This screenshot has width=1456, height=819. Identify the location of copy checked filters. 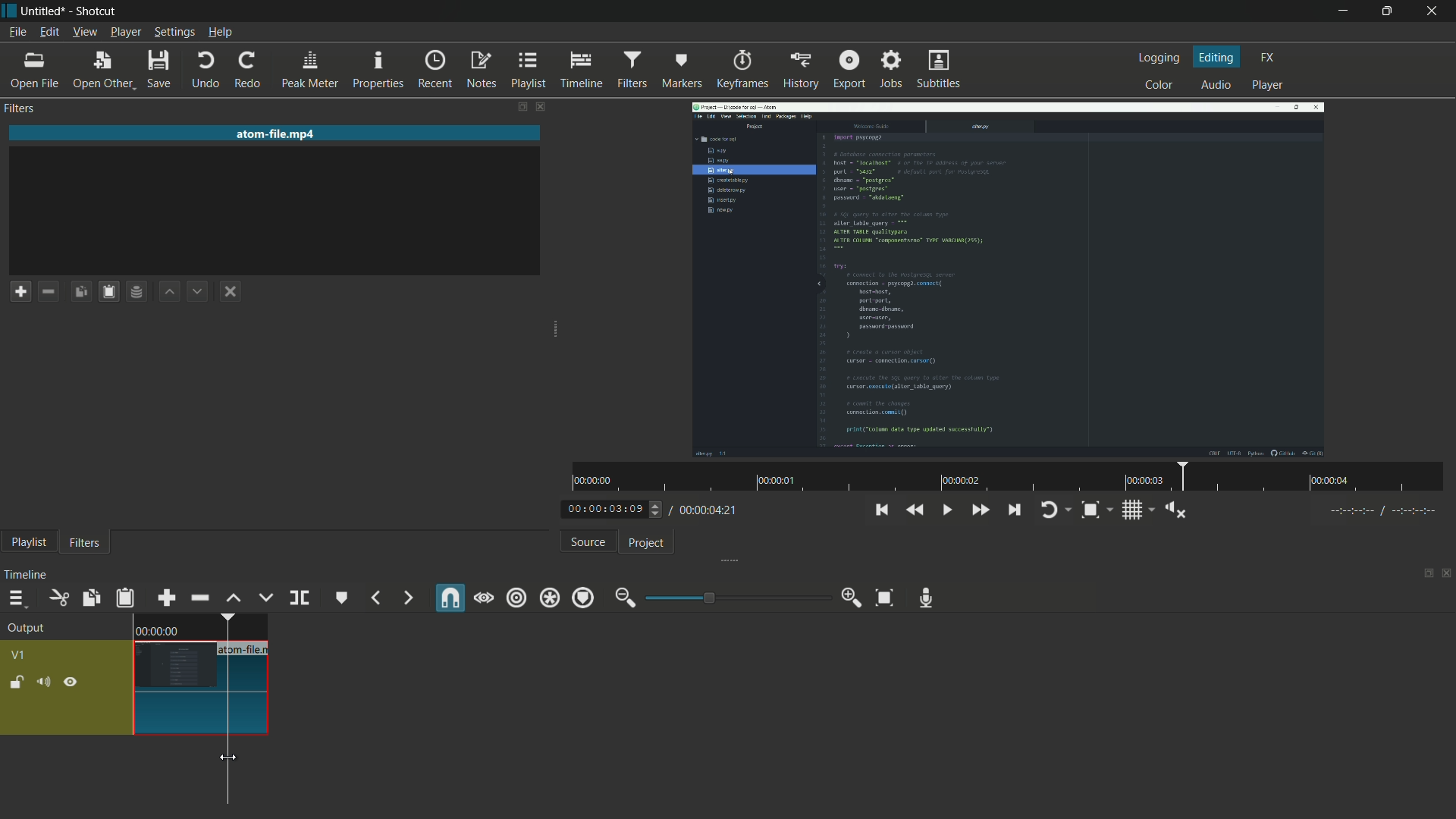
(80, 291).